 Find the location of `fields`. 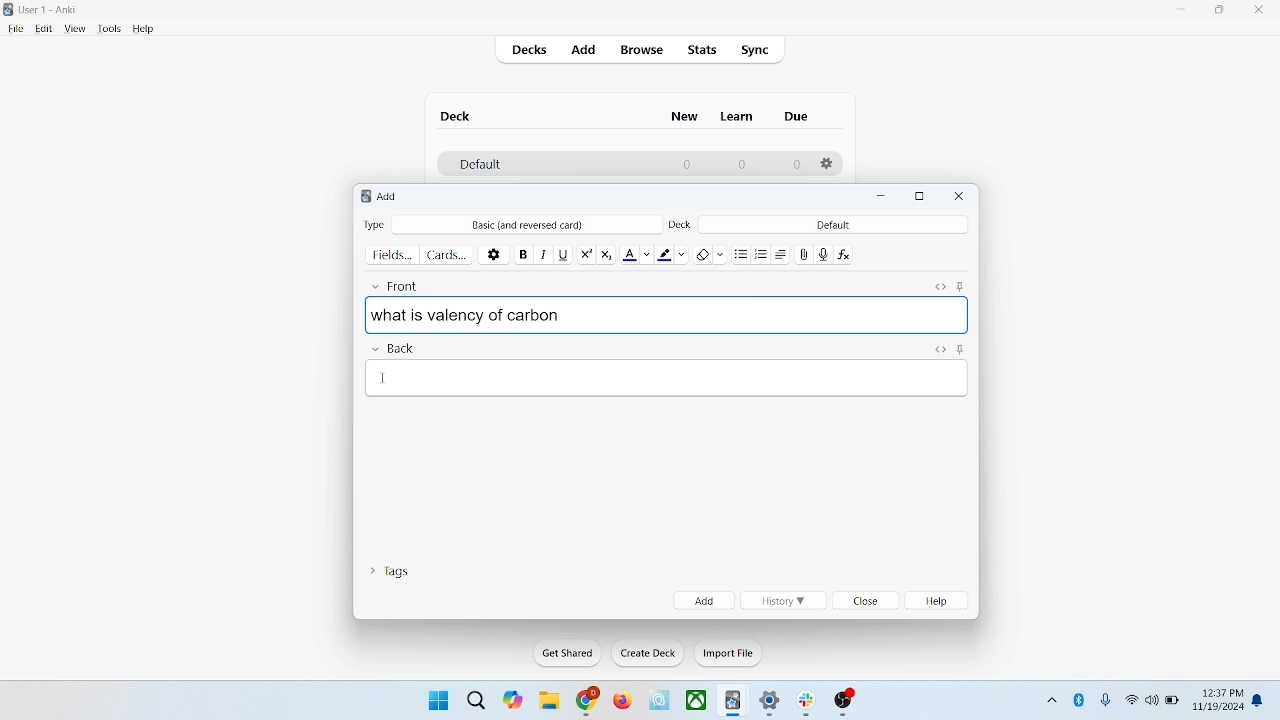

fields is located at coordinates (392, 253).